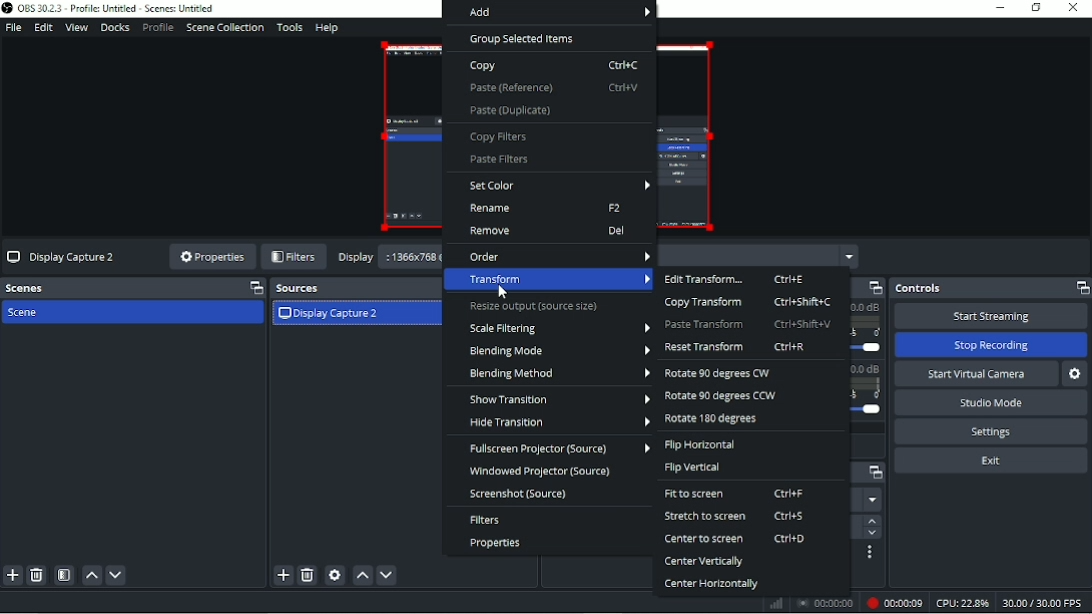 The width and height of the screenshot is (1092, 614). I want to click on Paste (Duplicate), so click(511, 110).